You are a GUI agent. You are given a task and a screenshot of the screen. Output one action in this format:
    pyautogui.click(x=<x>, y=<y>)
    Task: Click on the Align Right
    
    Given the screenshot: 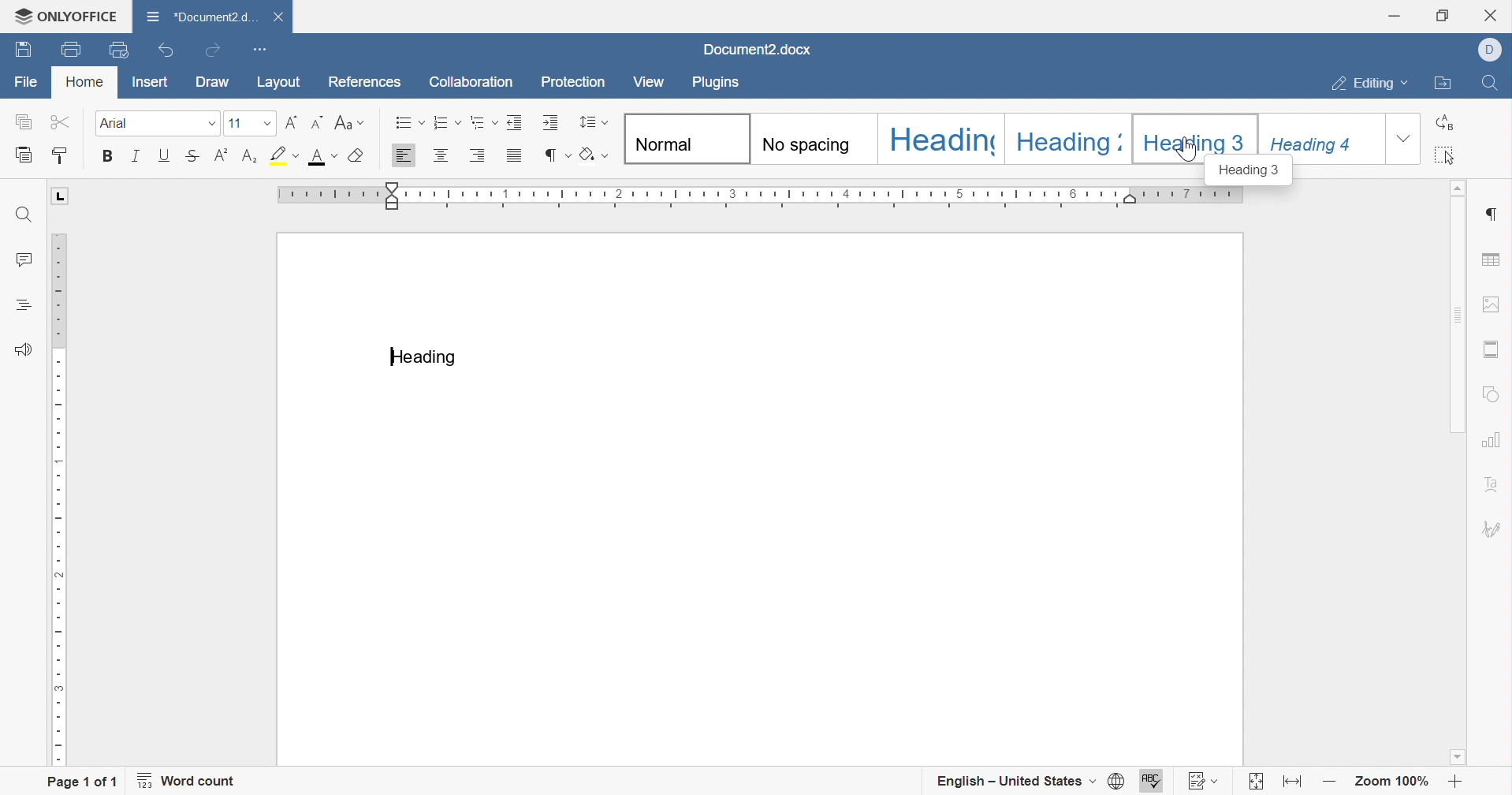 What is the action you would take?
    pyautogui.click(x=476, y=157)
    